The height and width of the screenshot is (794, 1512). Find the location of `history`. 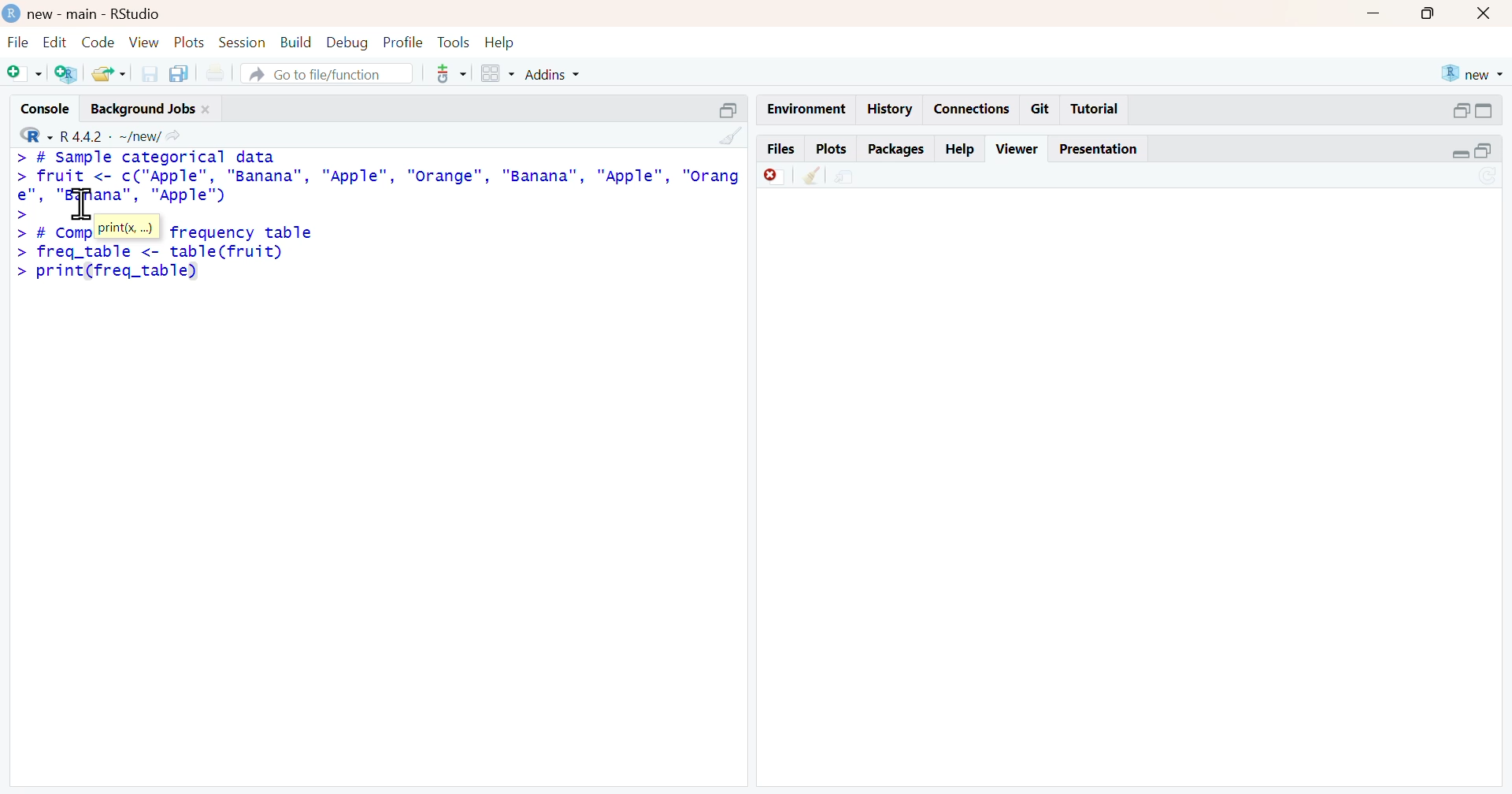

history is located at coordinates (889, 109).